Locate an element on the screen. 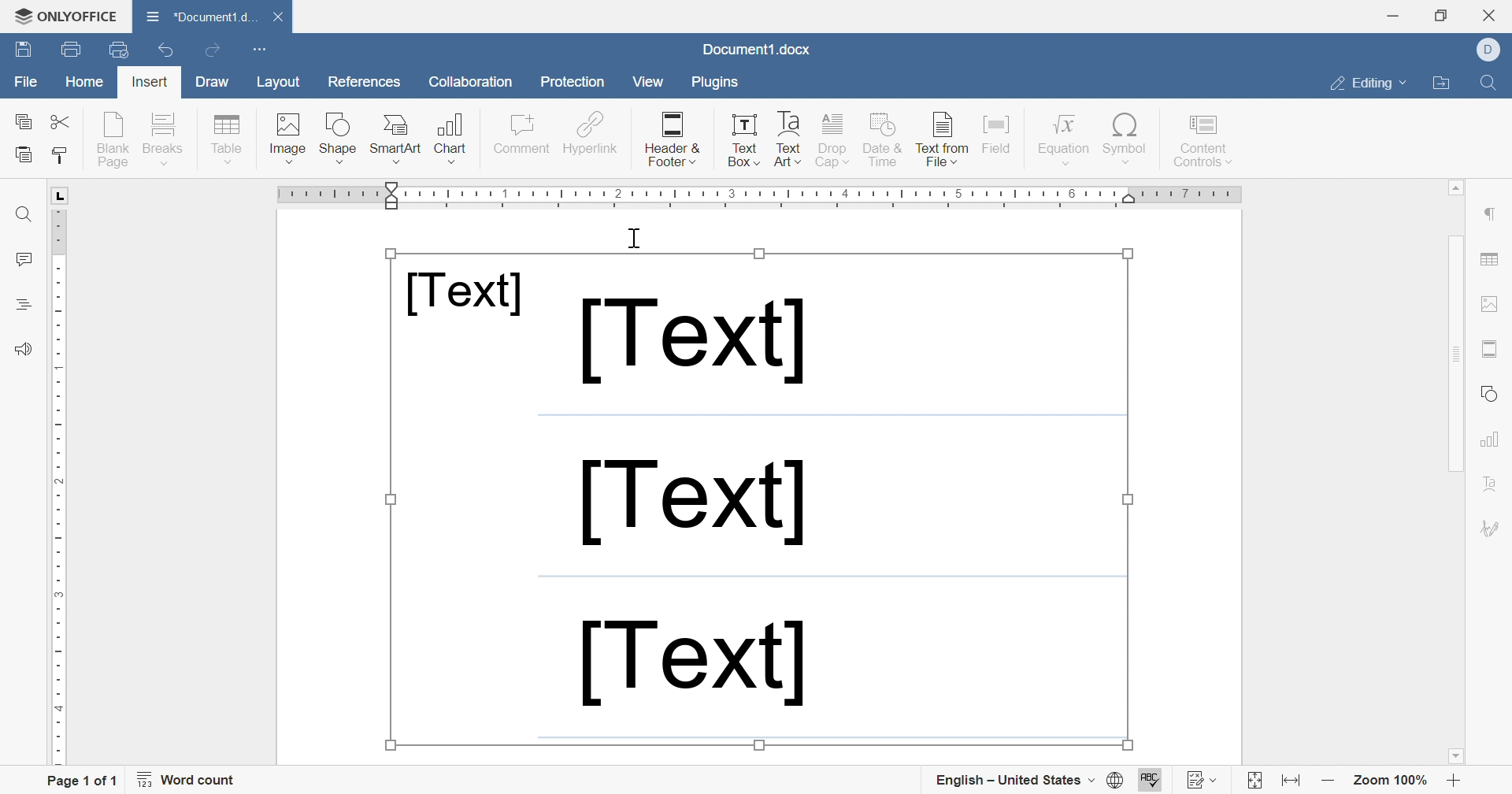 The height and width of the screenshot is (794, 1512). Text box is located at coordinates (747, 143).